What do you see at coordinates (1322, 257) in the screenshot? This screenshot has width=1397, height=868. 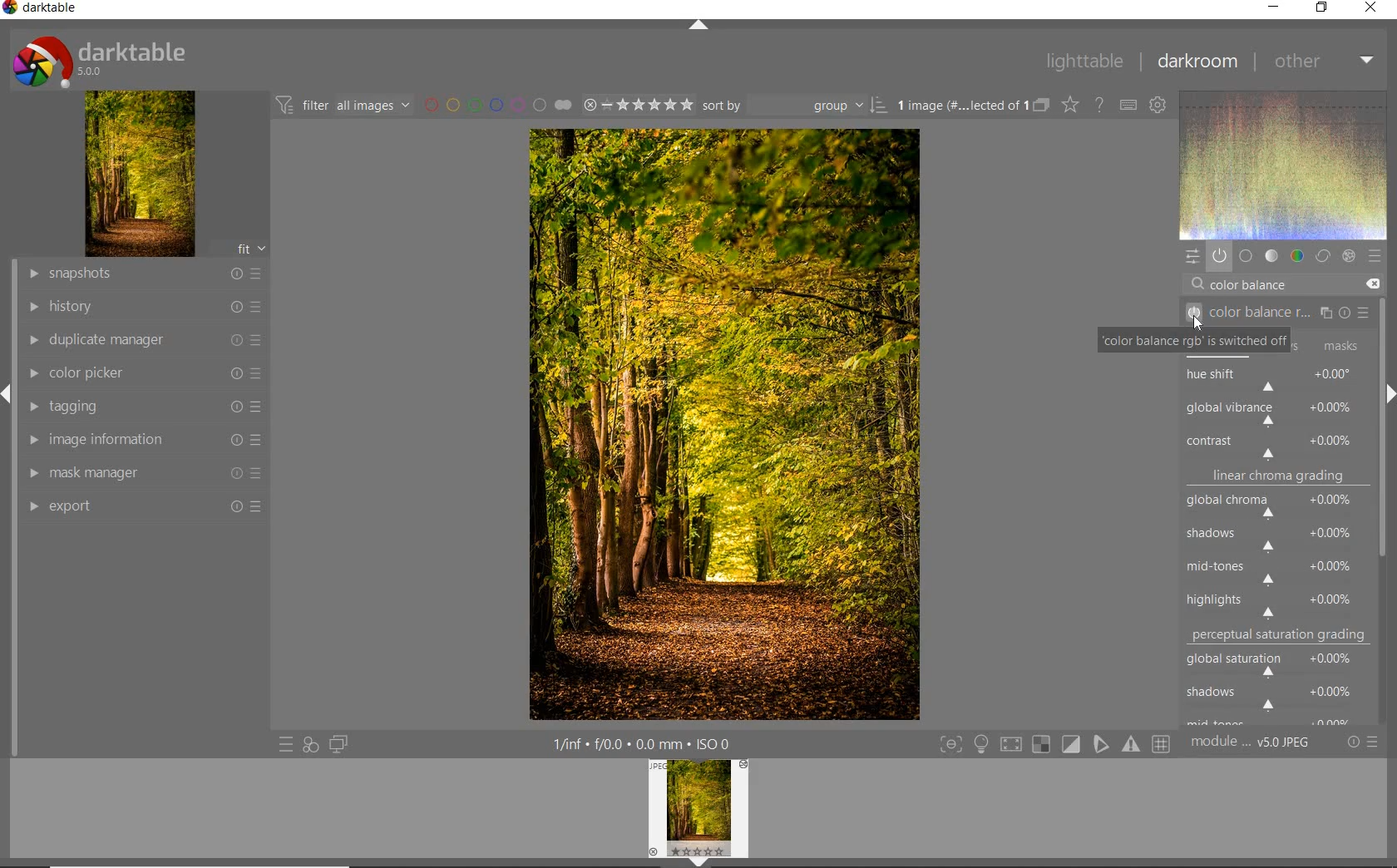 I see `correct` at bounding box center [1322, 257].